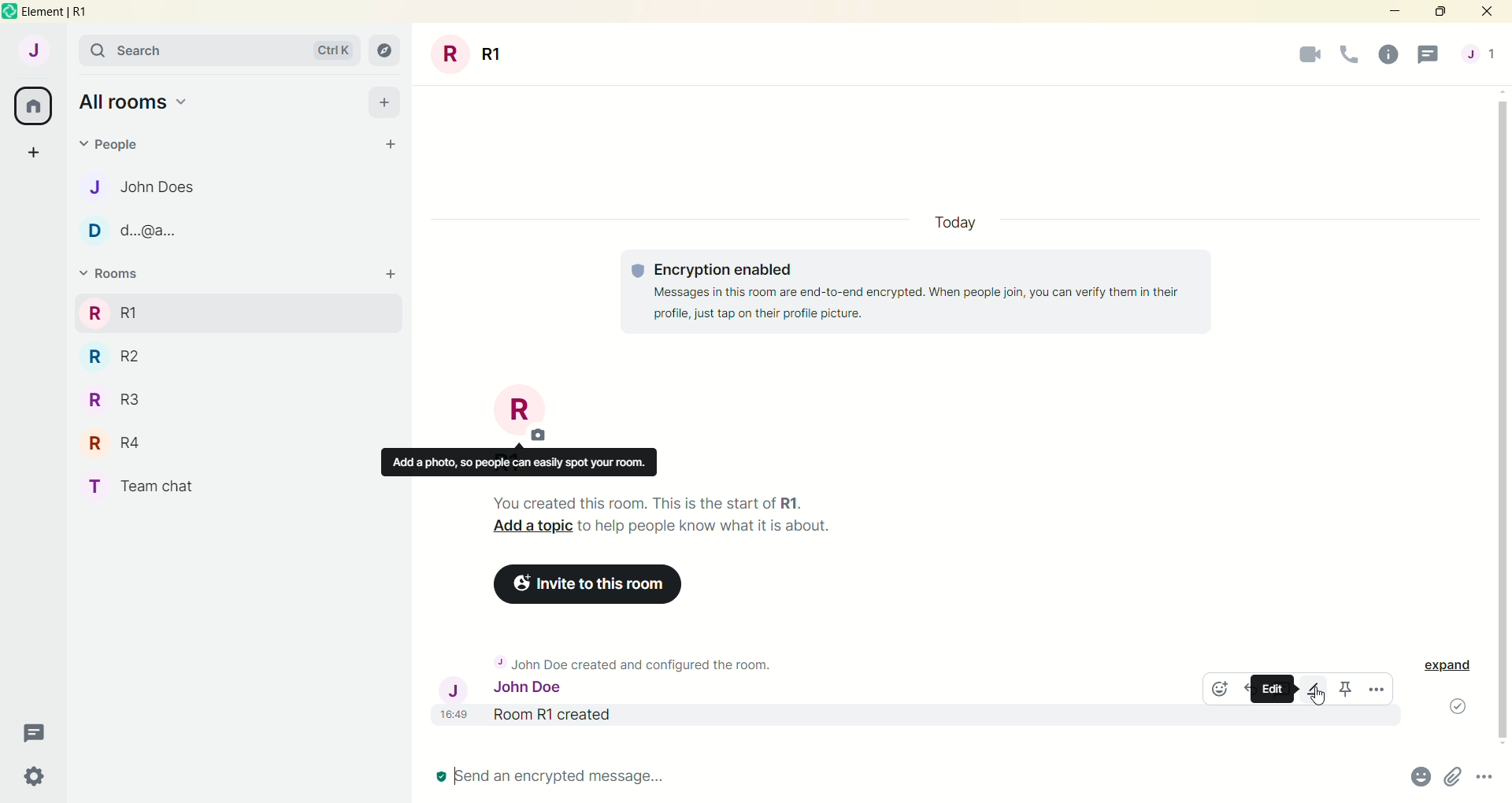 The height and width of the screenshot is (803, 1512). I want to click on emoji, so click(1225, 690).